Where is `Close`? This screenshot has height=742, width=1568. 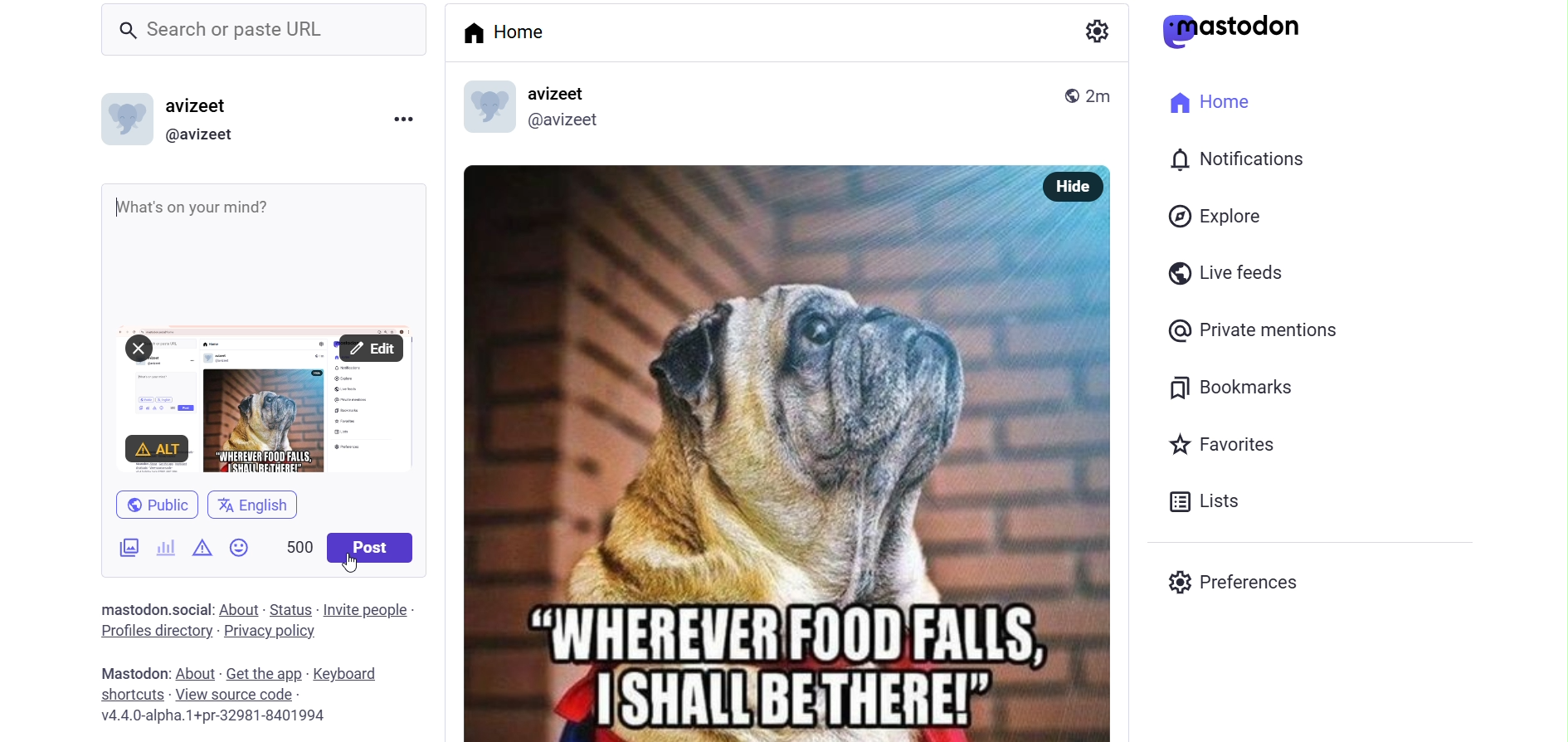
Close is located at coordinates (138, 347).